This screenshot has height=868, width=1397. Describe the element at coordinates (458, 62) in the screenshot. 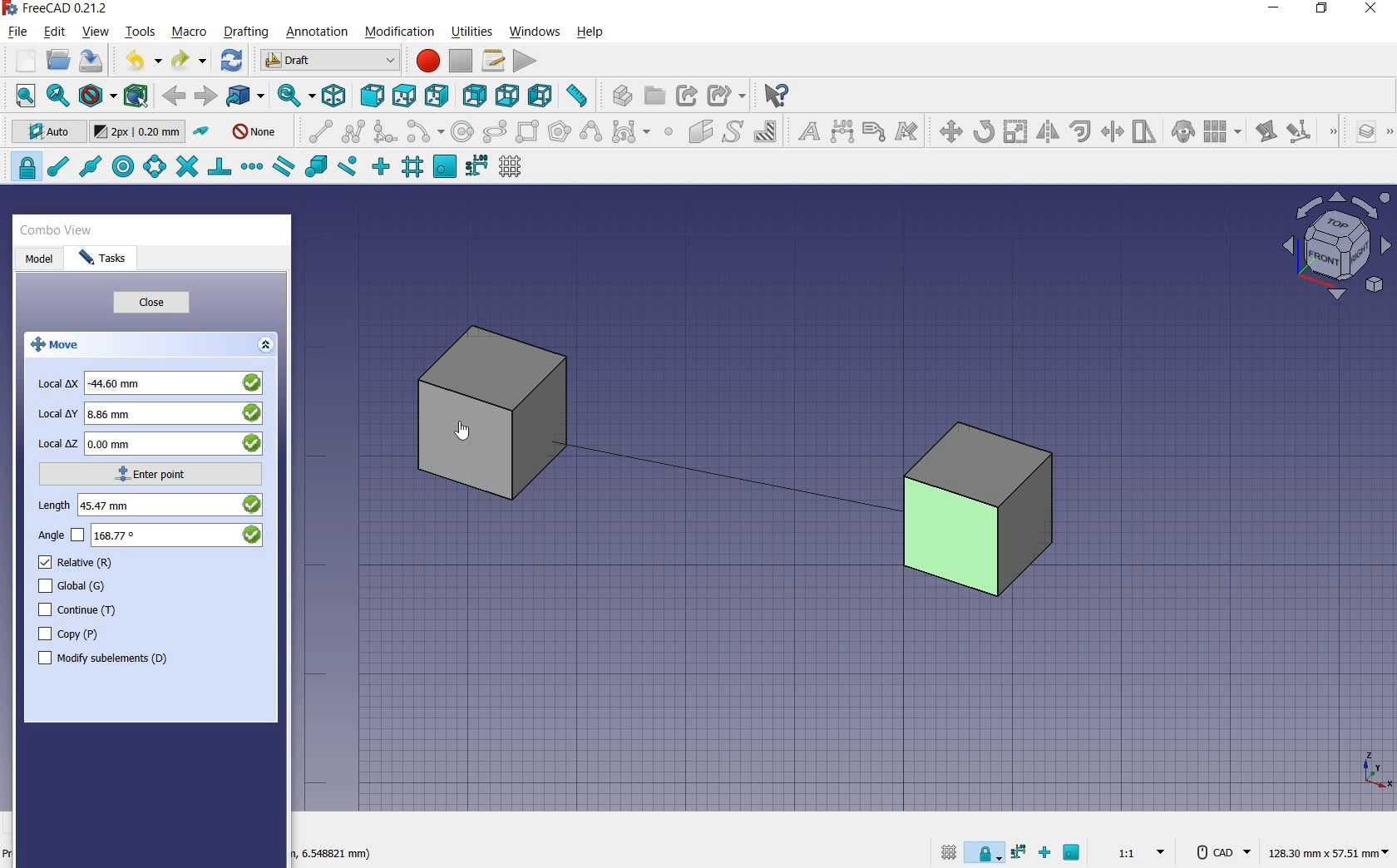

I see `stop macro recording` at that location.